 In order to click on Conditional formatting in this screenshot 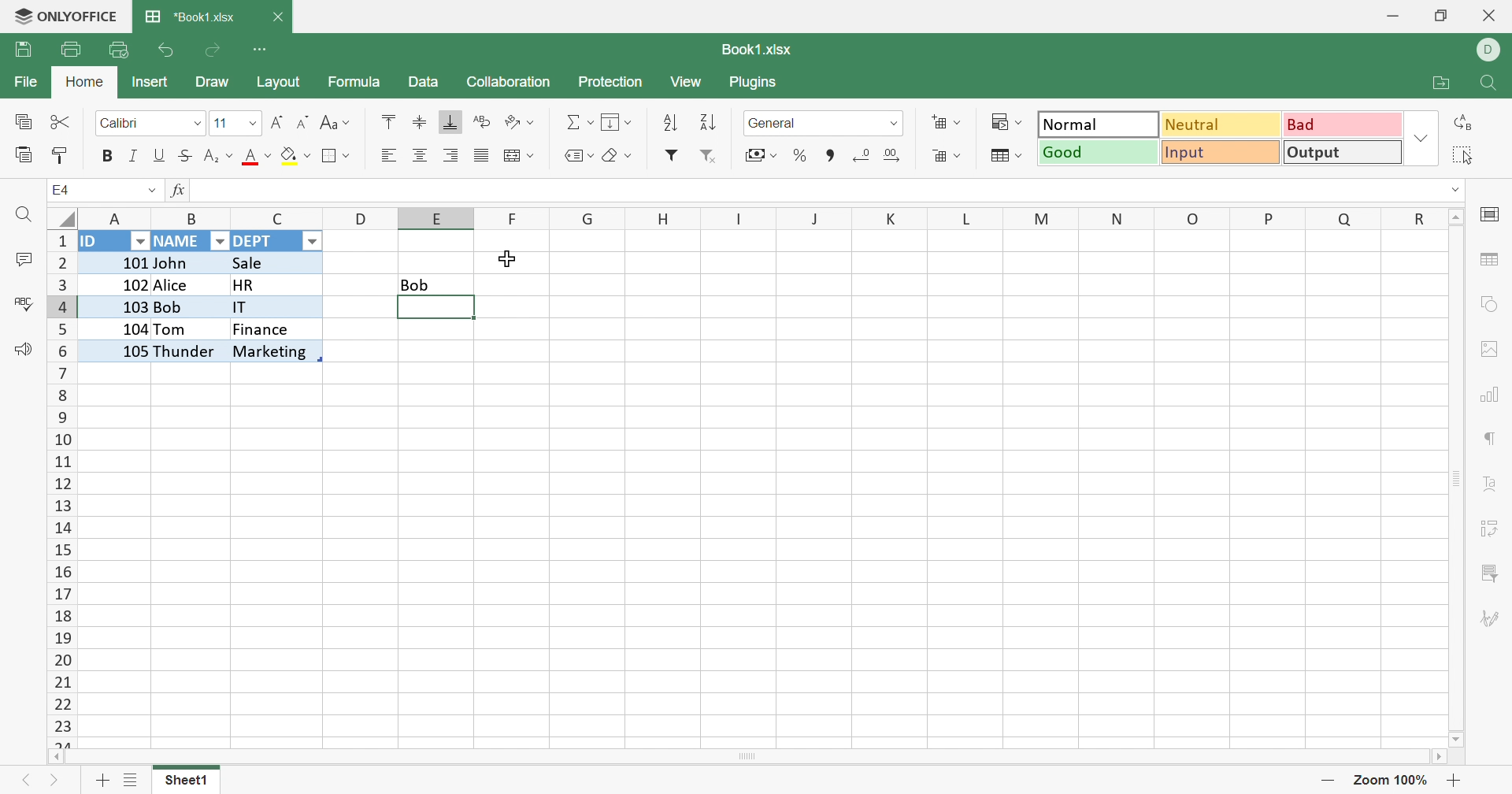, I will do `click(1005, 121)`.